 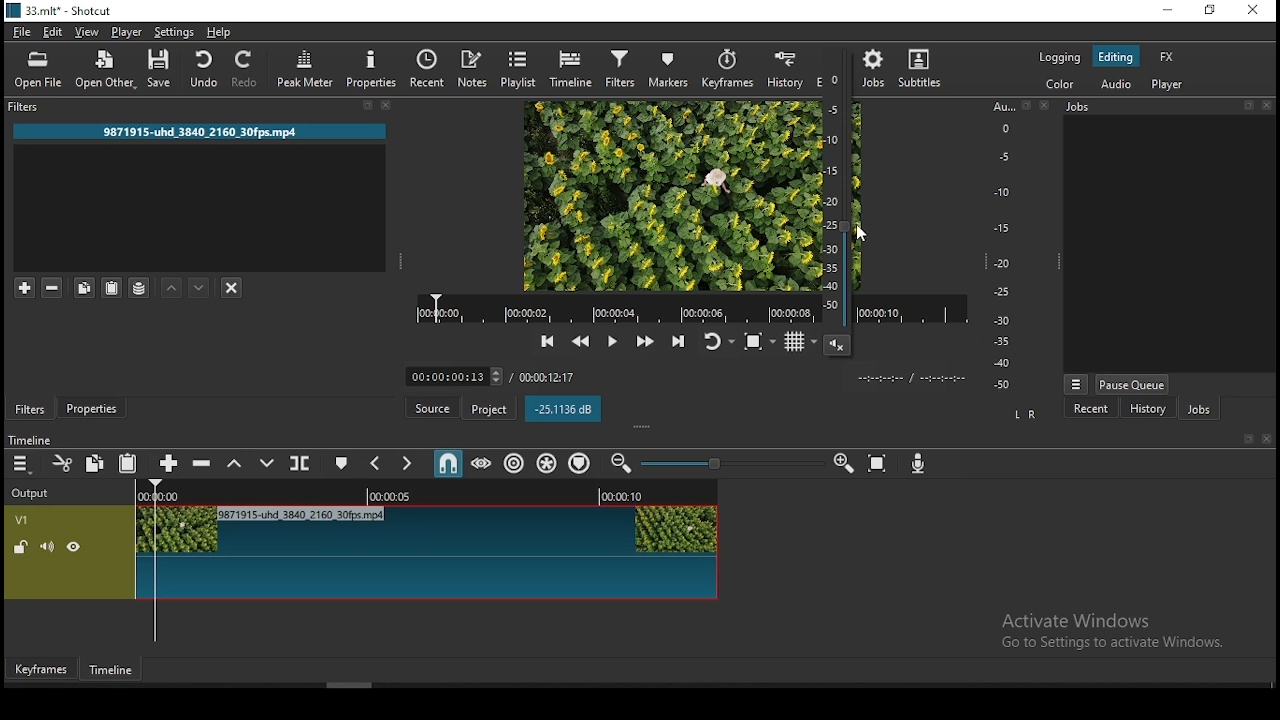 What do you see at coordinates (163, 69) in the screenshot?
I see `save` at bounding box center [163, 69].